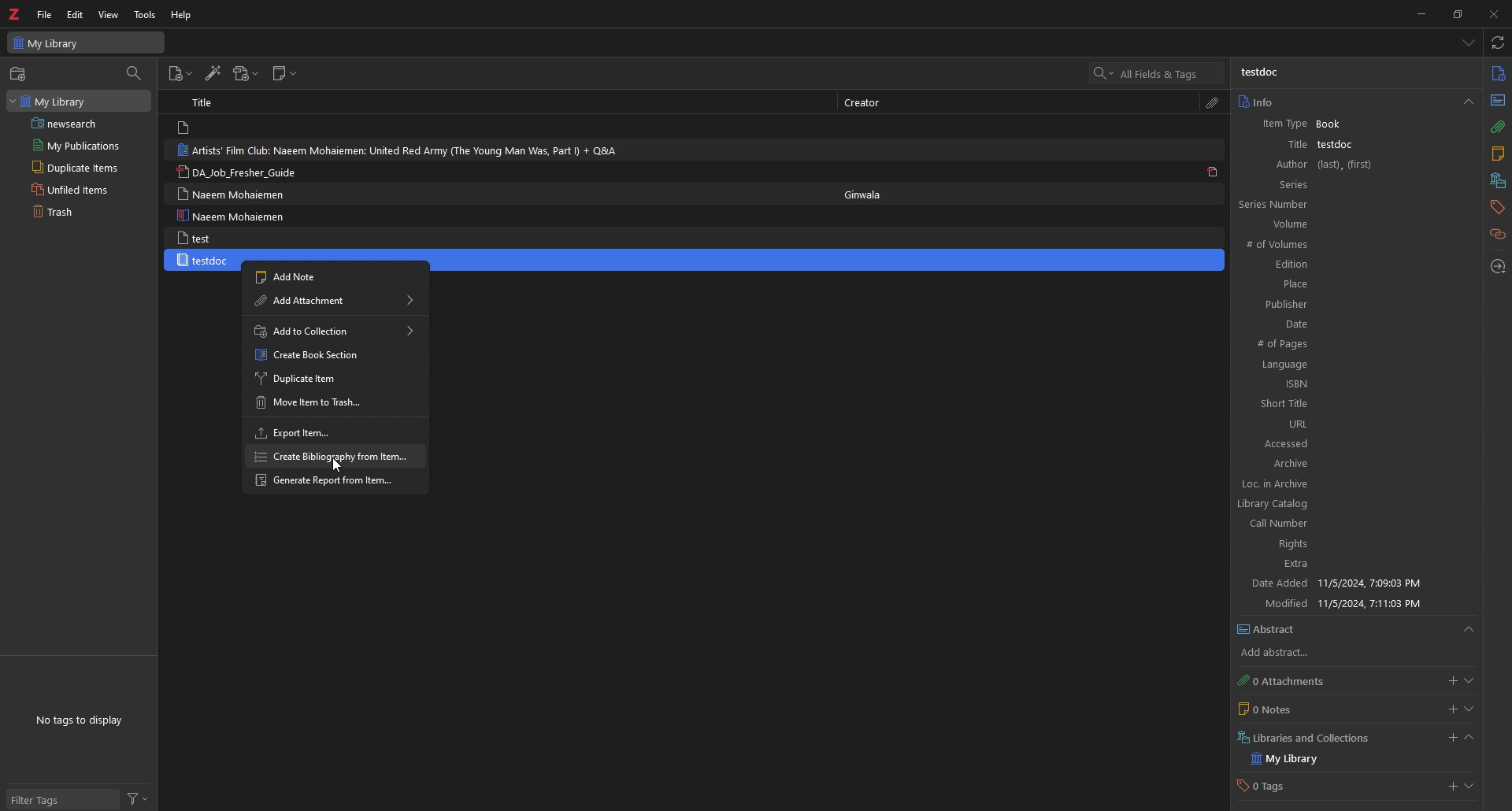 The height and width of the screenshot is (811, 1512). What do you see at coordinates (335, 402) in the screenshot?
I see `move item to trash` at bounding box center [335, 402].